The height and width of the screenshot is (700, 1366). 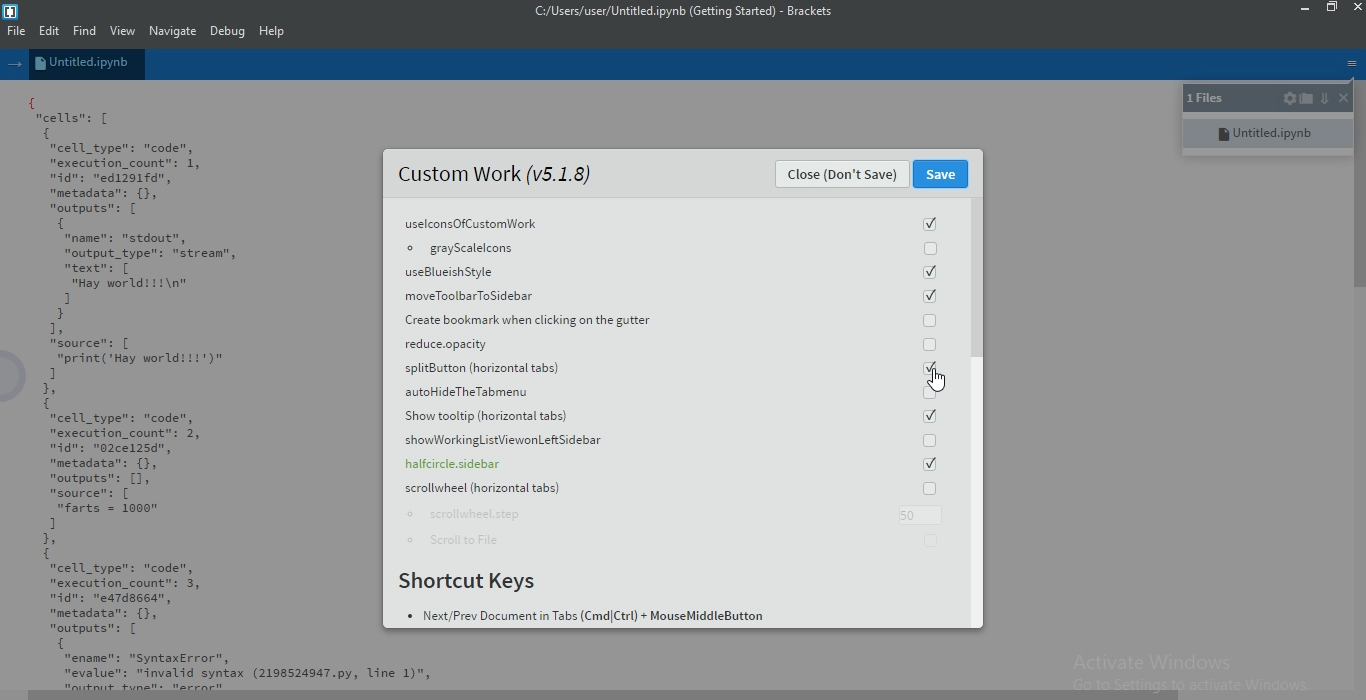 I want to click on scrollwheel.step: 50, so click(x=673, y=515).